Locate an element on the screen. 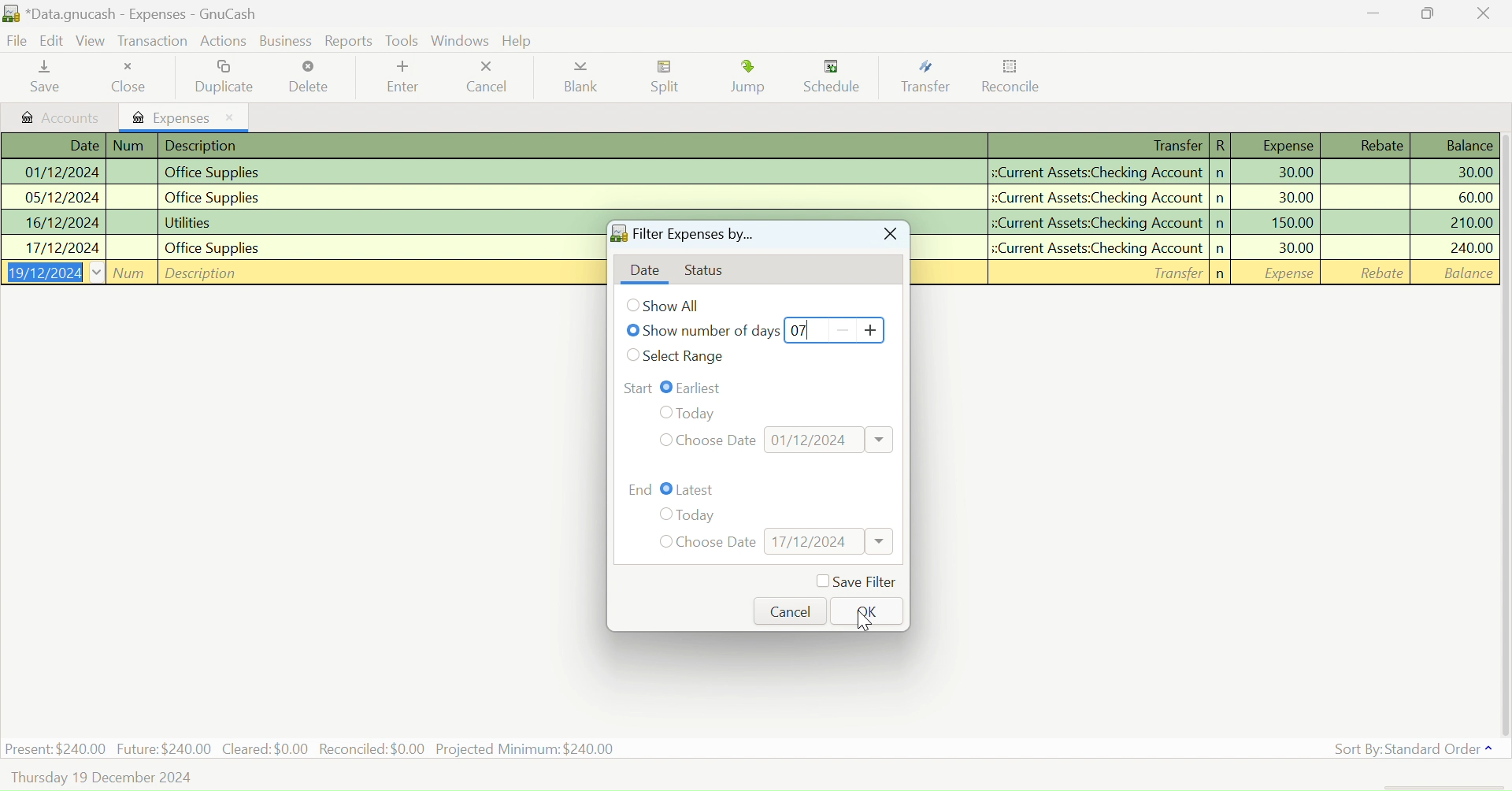 This screenshot has height=791, width=1512. Transactions Column Headings is located at coordinates (751, 147).